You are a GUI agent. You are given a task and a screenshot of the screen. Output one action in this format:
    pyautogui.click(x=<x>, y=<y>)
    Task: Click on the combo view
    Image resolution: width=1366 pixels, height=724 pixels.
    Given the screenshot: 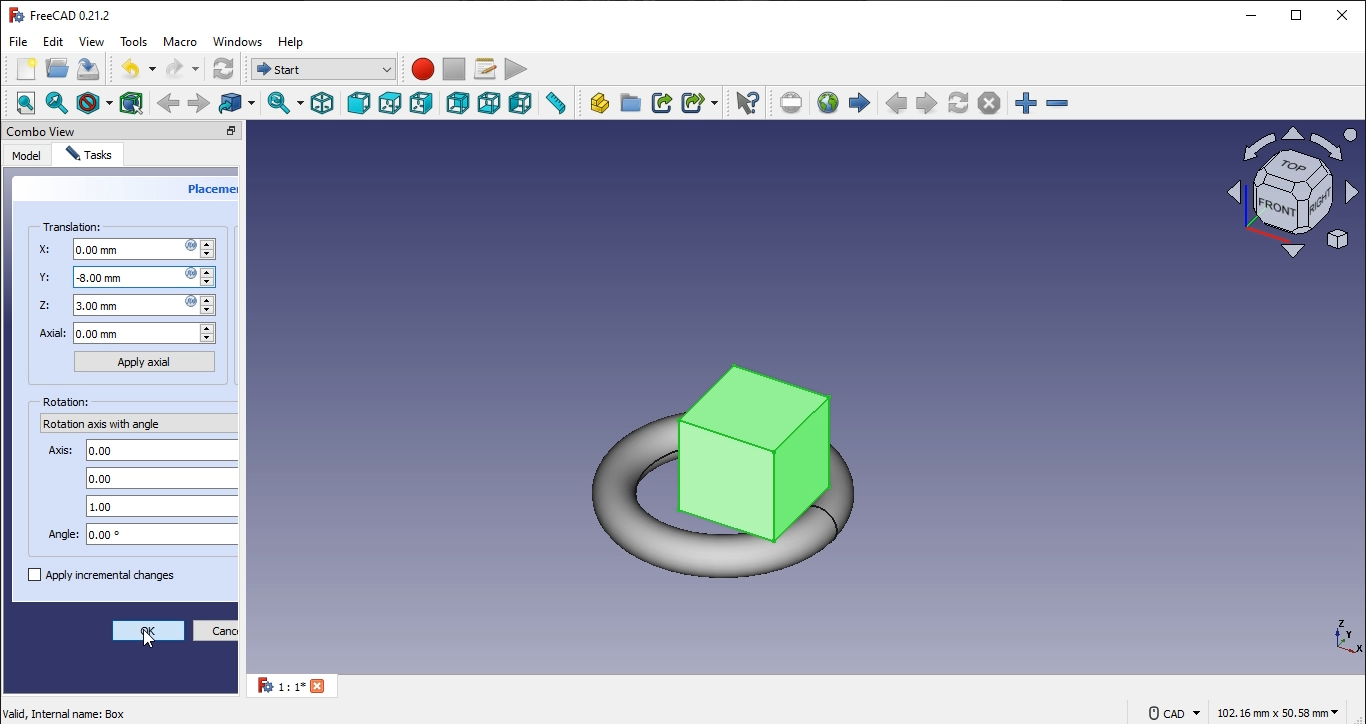 What is the action you would take?
    pyautogui.click(x=42, y=131)
    